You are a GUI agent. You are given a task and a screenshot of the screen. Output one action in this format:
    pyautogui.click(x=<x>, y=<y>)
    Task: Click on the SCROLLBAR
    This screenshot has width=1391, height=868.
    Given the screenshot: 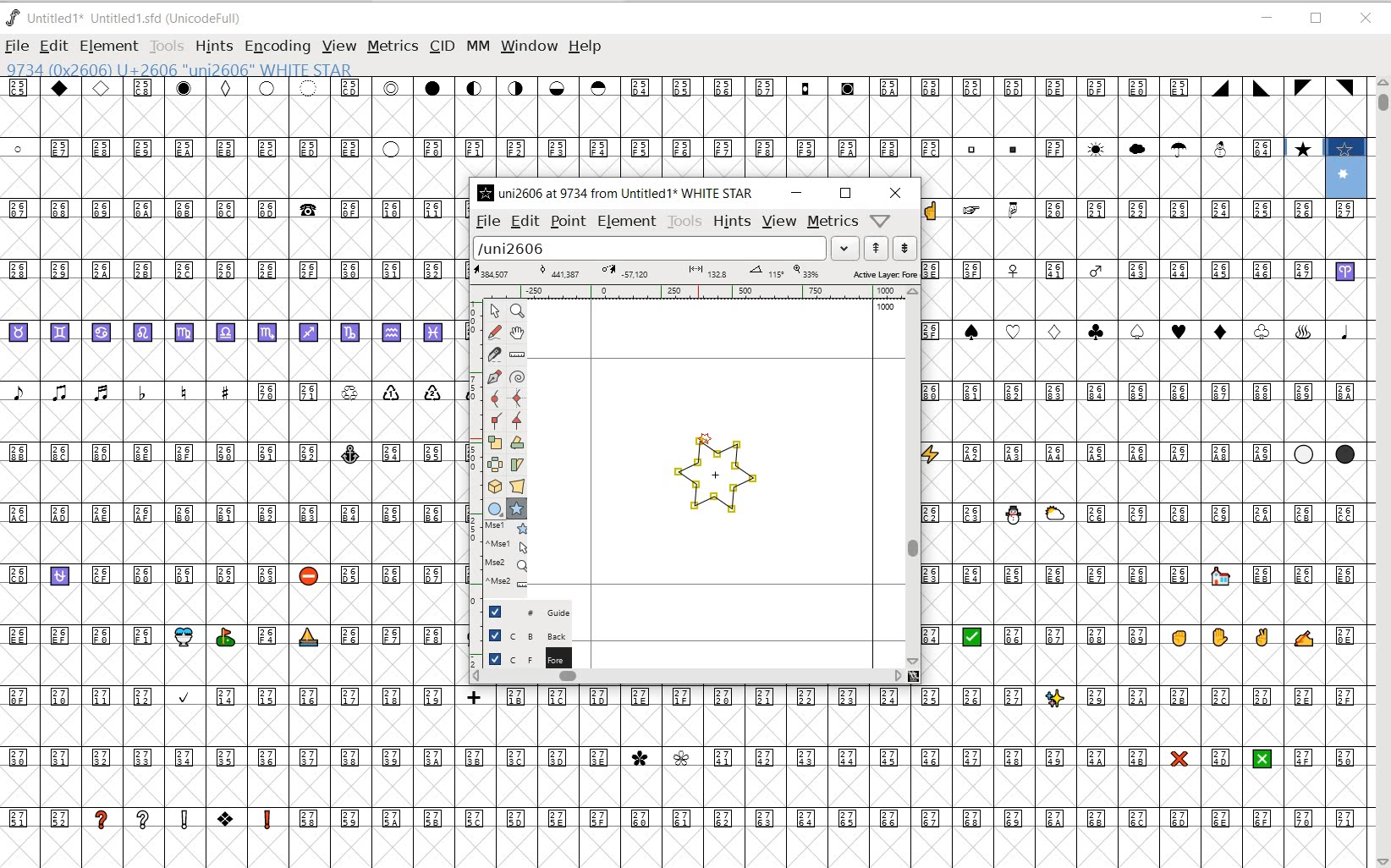 What is the action you would take?
    pyautogui.click(x=694, y=678)
    